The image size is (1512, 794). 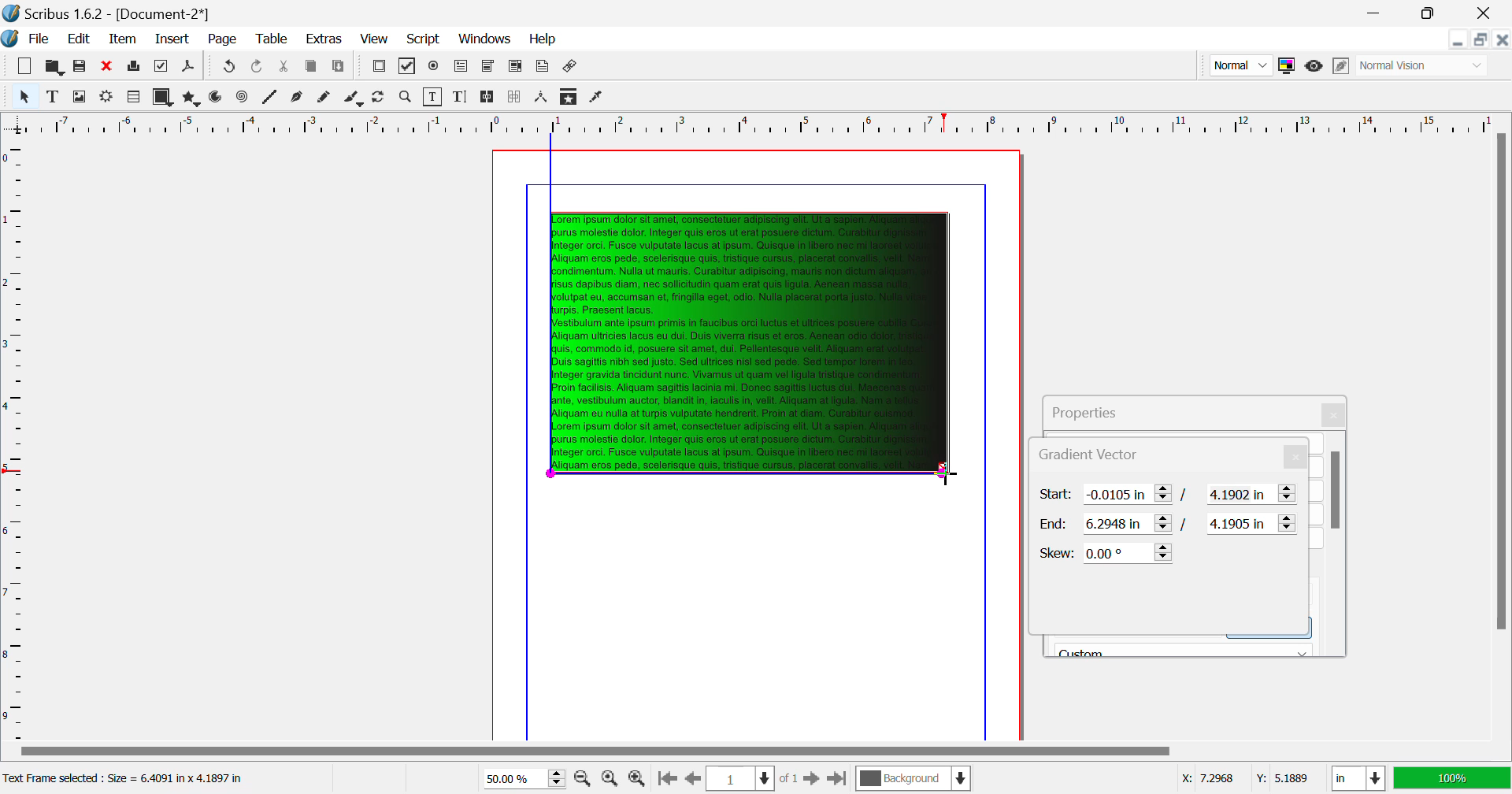 What do you see at coordinates (1107, 552) in the screenshot?
I see `Skew` at bounding box center [1107, 552].